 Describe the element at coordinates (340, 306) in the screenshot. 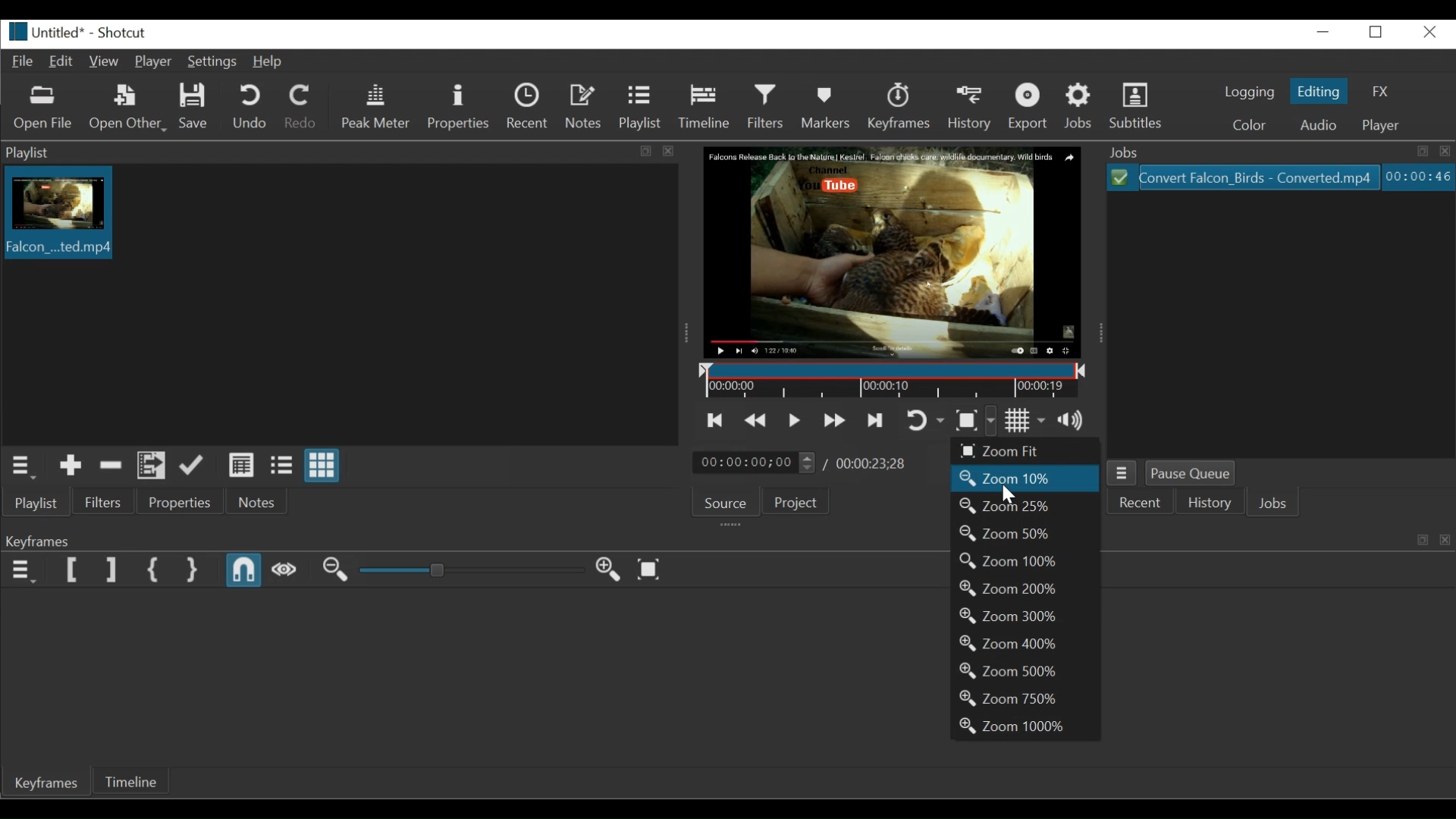

I see `Clip thumbnail` at that location.